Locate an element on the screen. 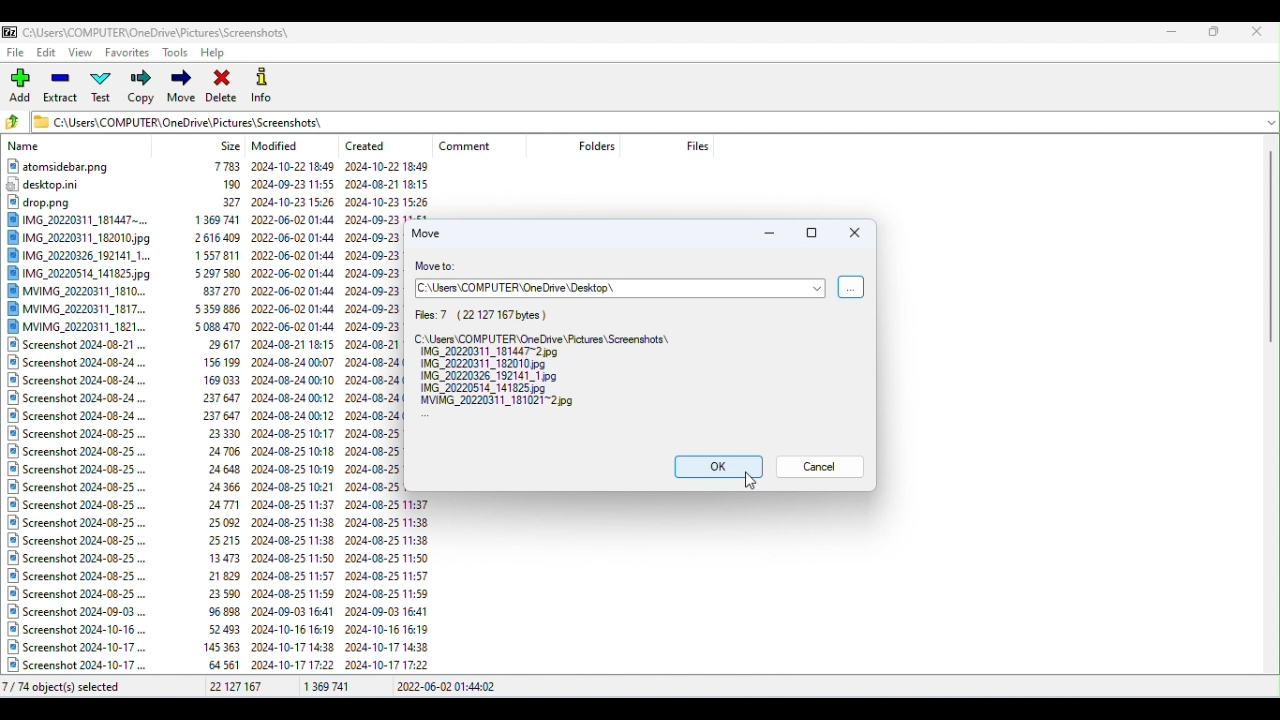 The height and width of the screenshot is (720, 1280). Modified is located at coordinates (279, 146).